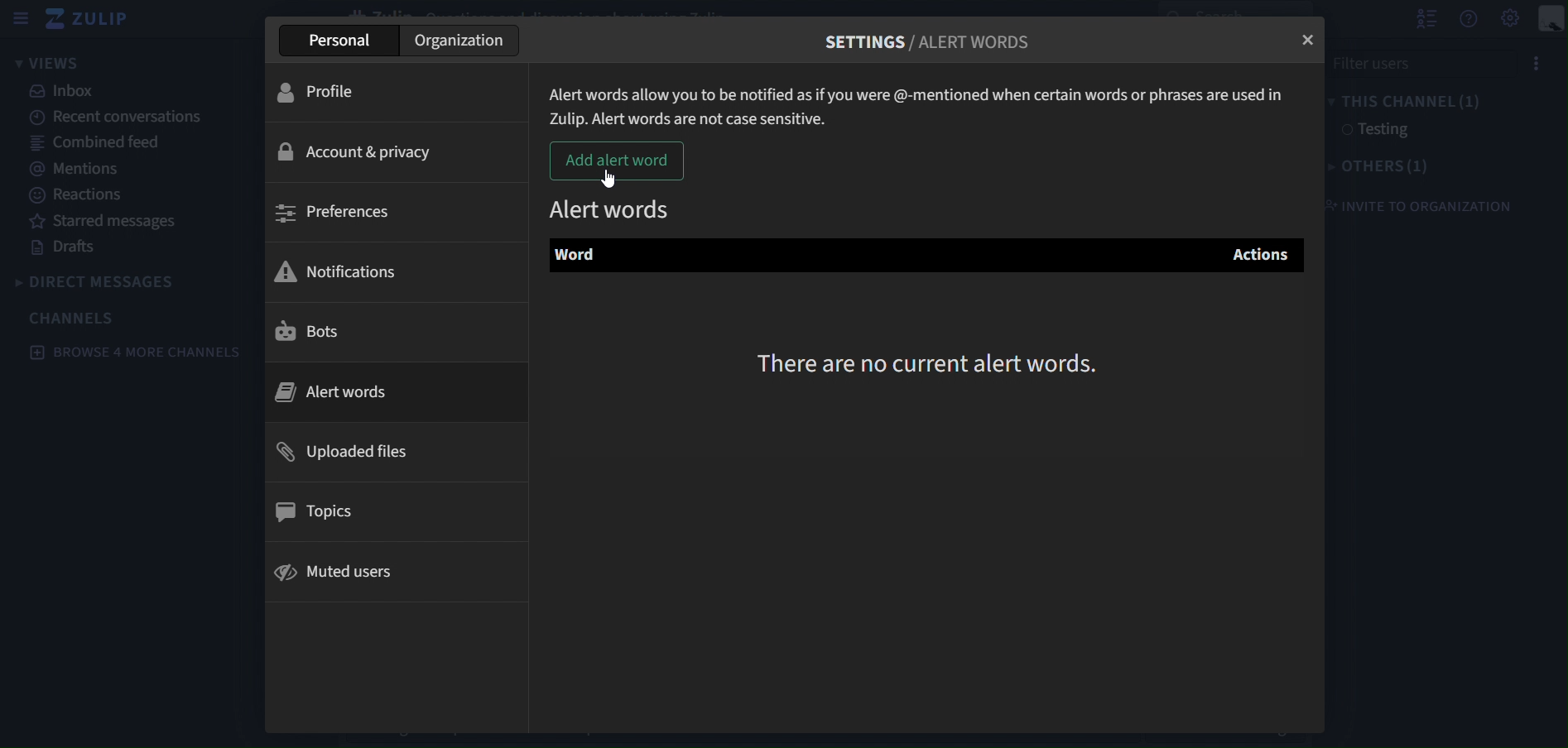  Describe the element at coordinates (921, 100) in the screenshot. I see `Alert words allow you to be notified as if you were @-mentioned when certain words or phrases are used in Zulip.` at that location.